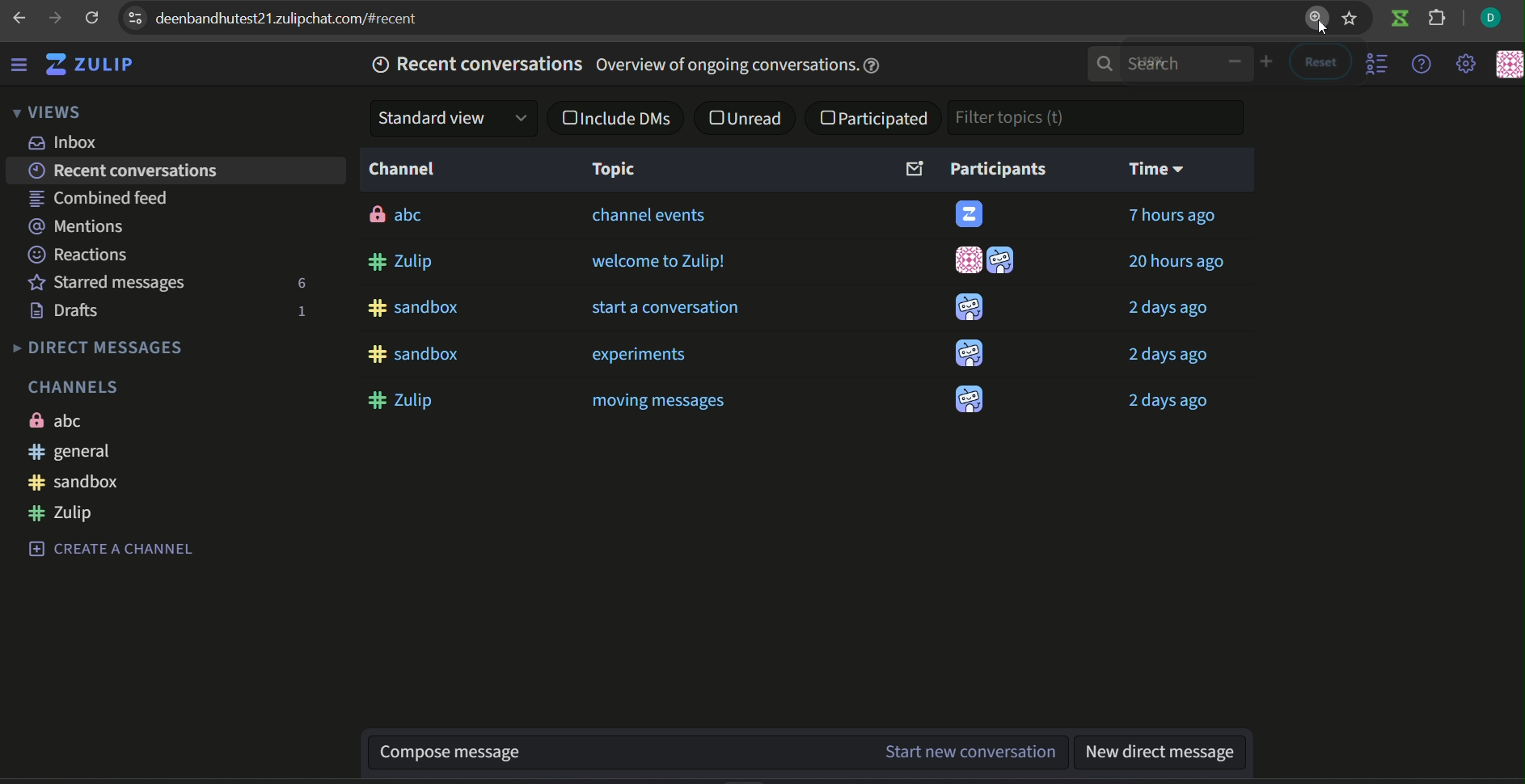 This screenshot has width=1525, height=784. Describe the element at coordinates (969, 354) in the screenshot. I see `icon` at that location.